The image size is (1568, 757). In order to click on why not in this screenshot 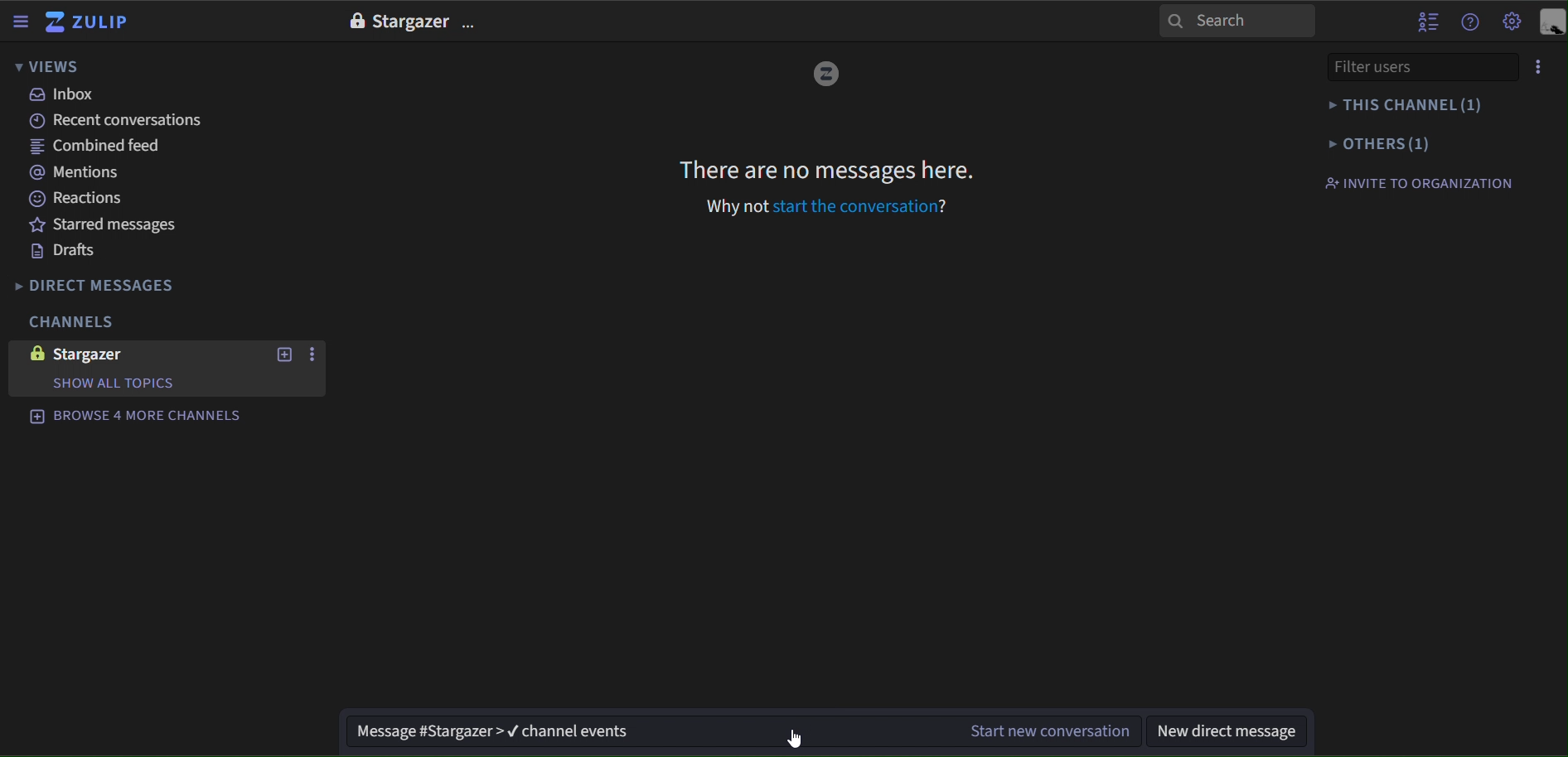, I will do `click(738, 206)`.